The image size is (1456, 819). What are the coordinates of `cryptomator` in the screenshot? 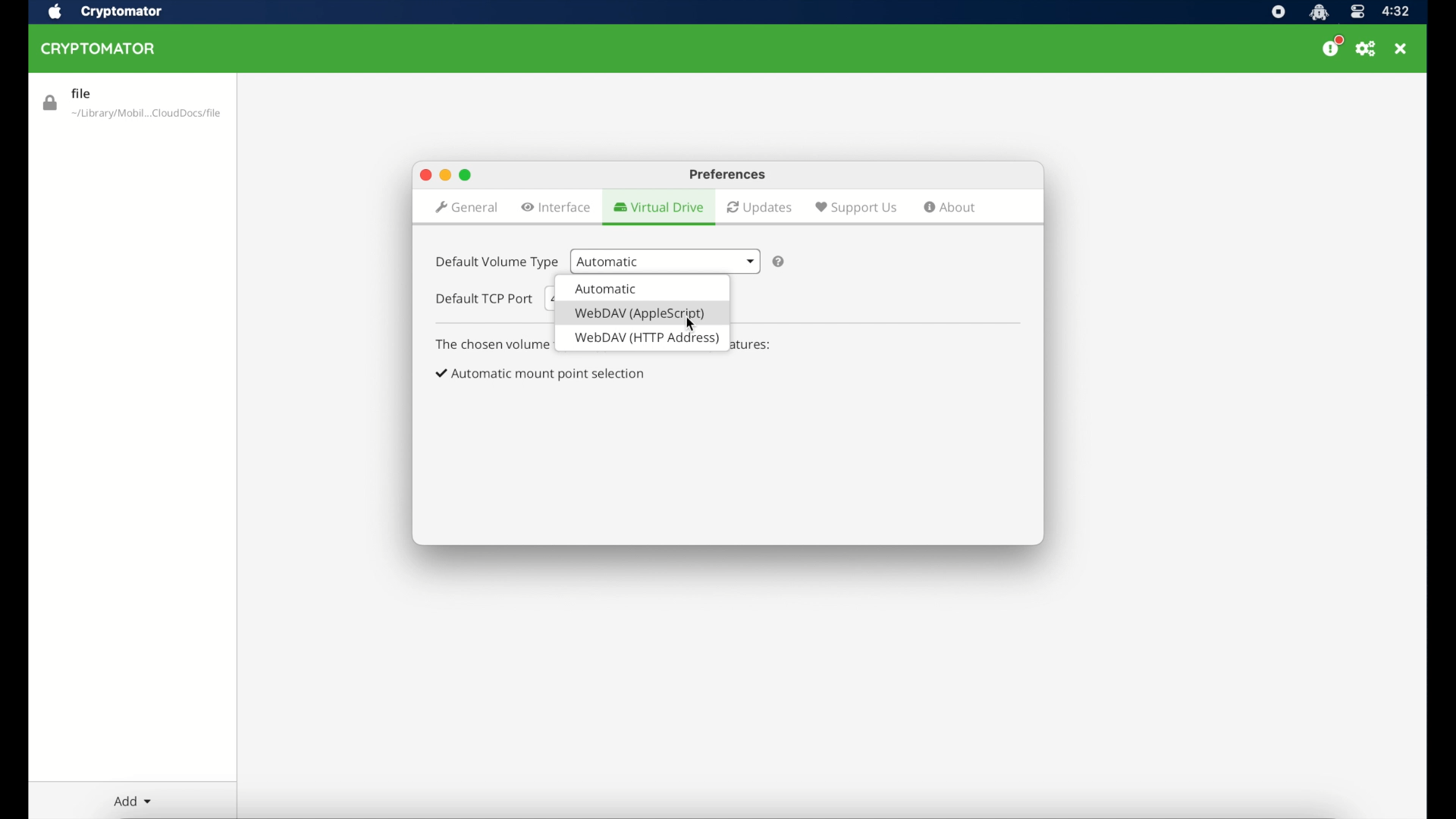 It's located at (102, 49).